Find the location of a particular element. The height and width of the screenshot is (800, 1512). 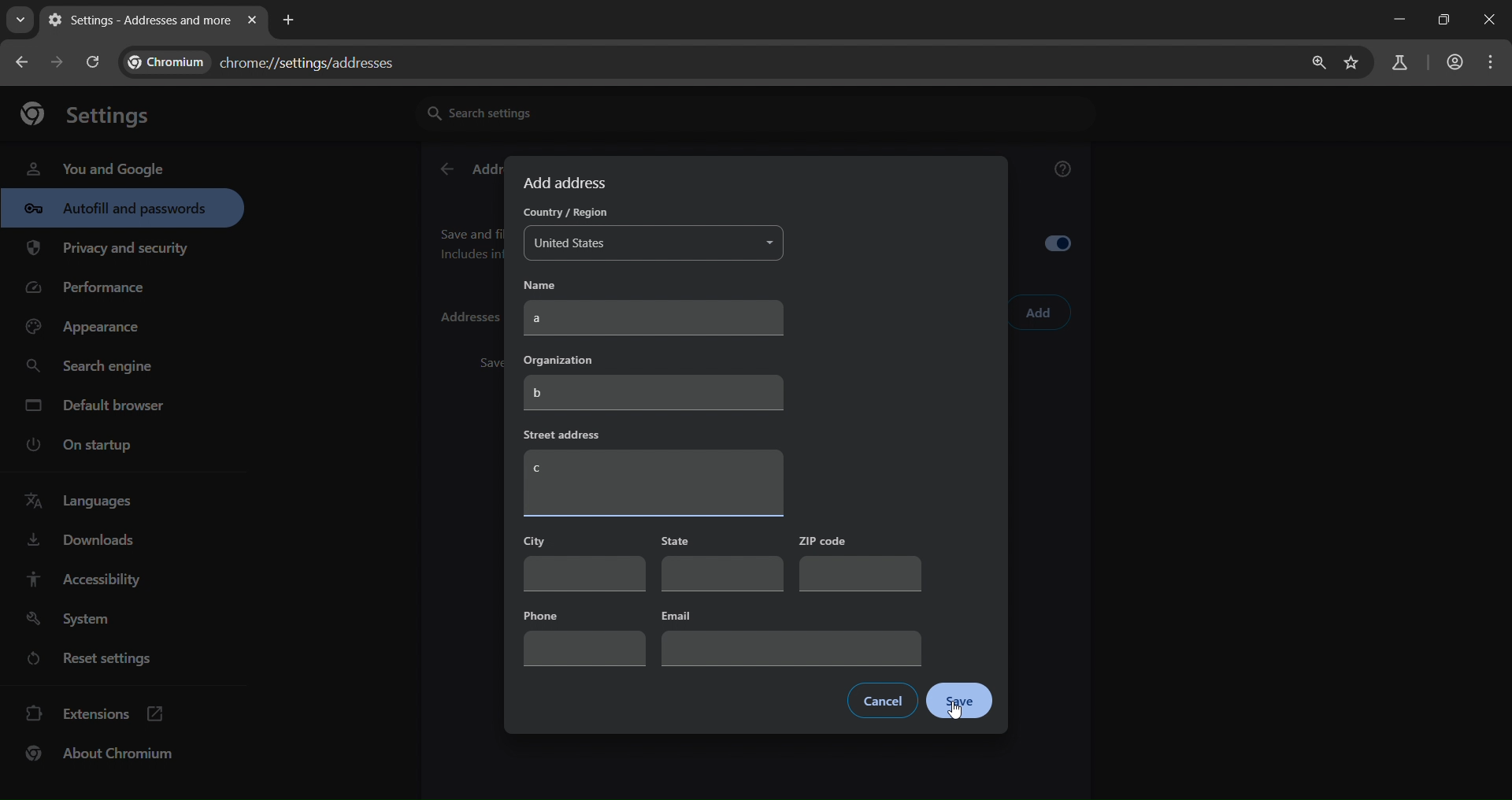

add is located at coordinates (1039, 313).